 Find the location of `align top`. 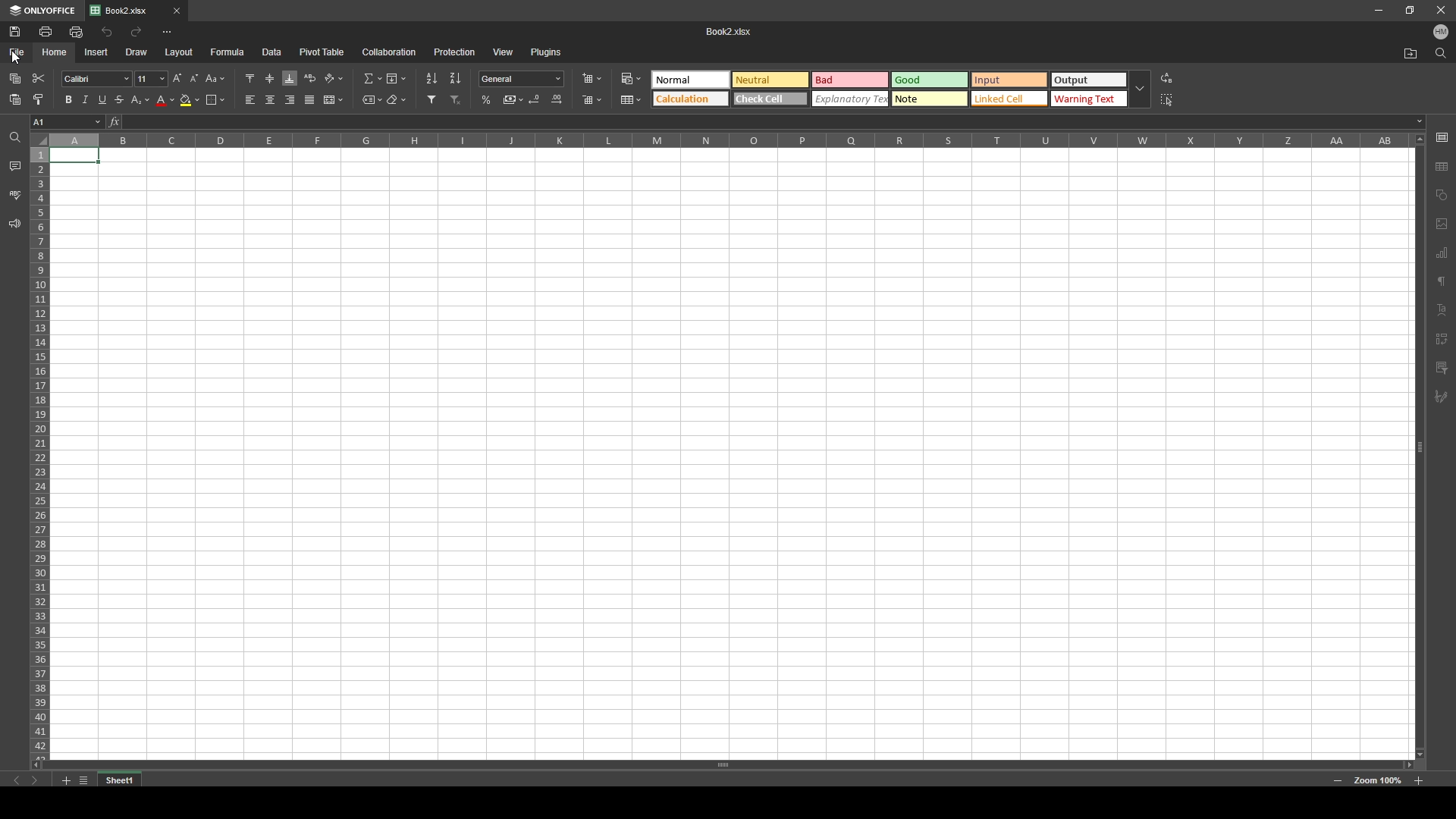

align top is located at coordinates (250, 77).